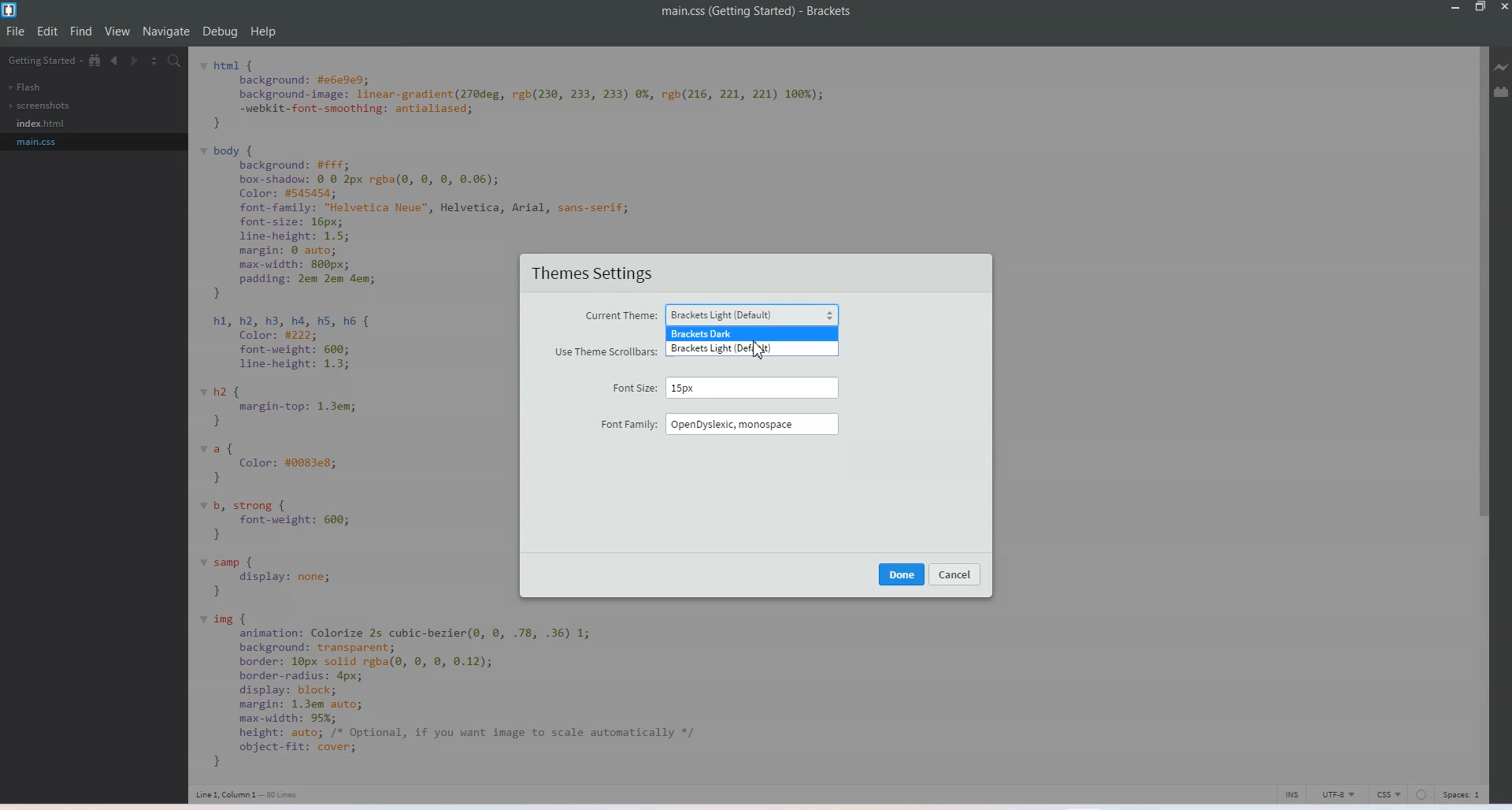  I want to click on UTF-8, so click(1339, 793).